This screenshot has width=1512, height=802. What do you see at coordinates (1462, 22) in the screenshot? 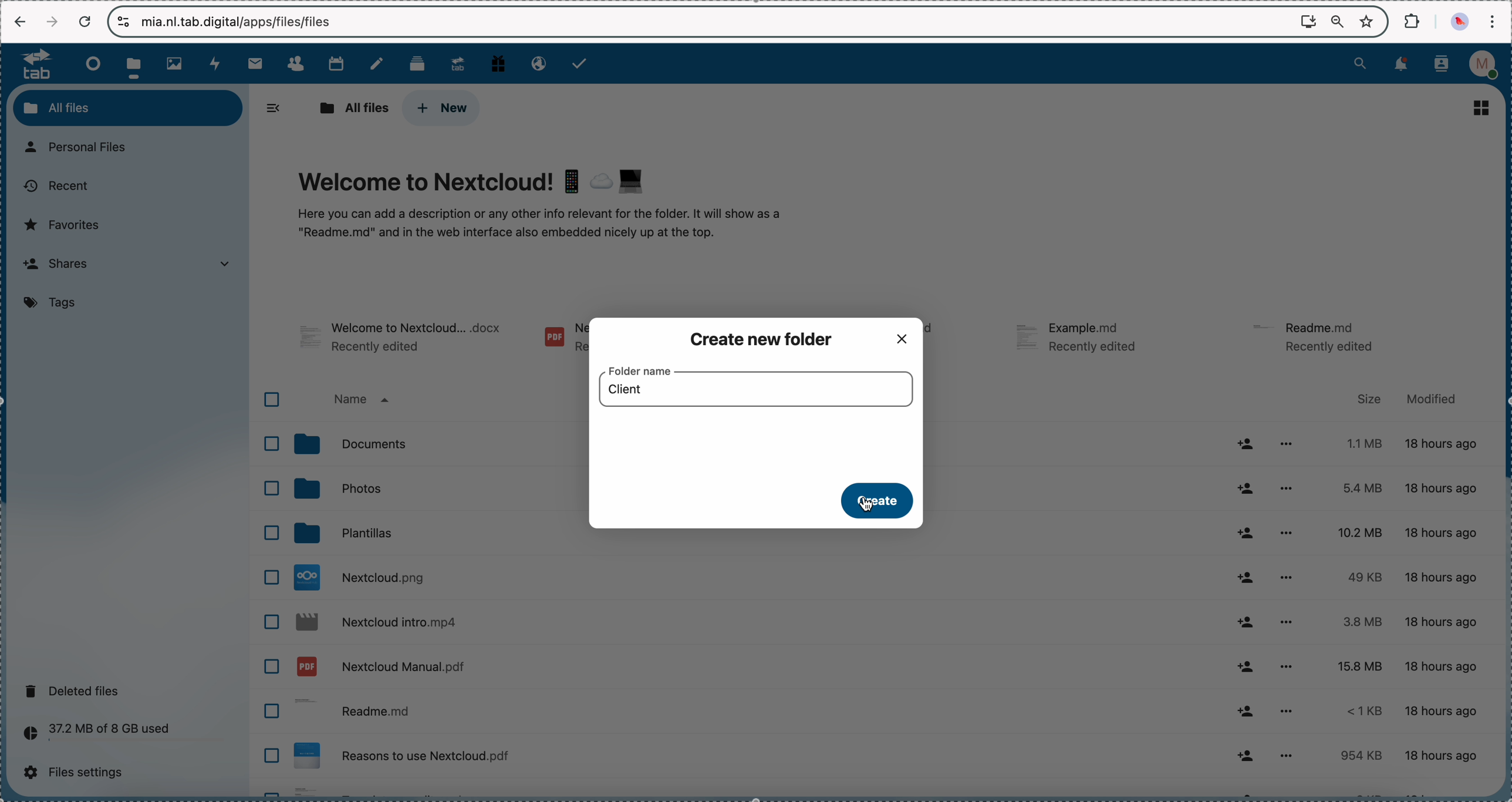
I see `profile picture` at bounding box center [1462, 22].